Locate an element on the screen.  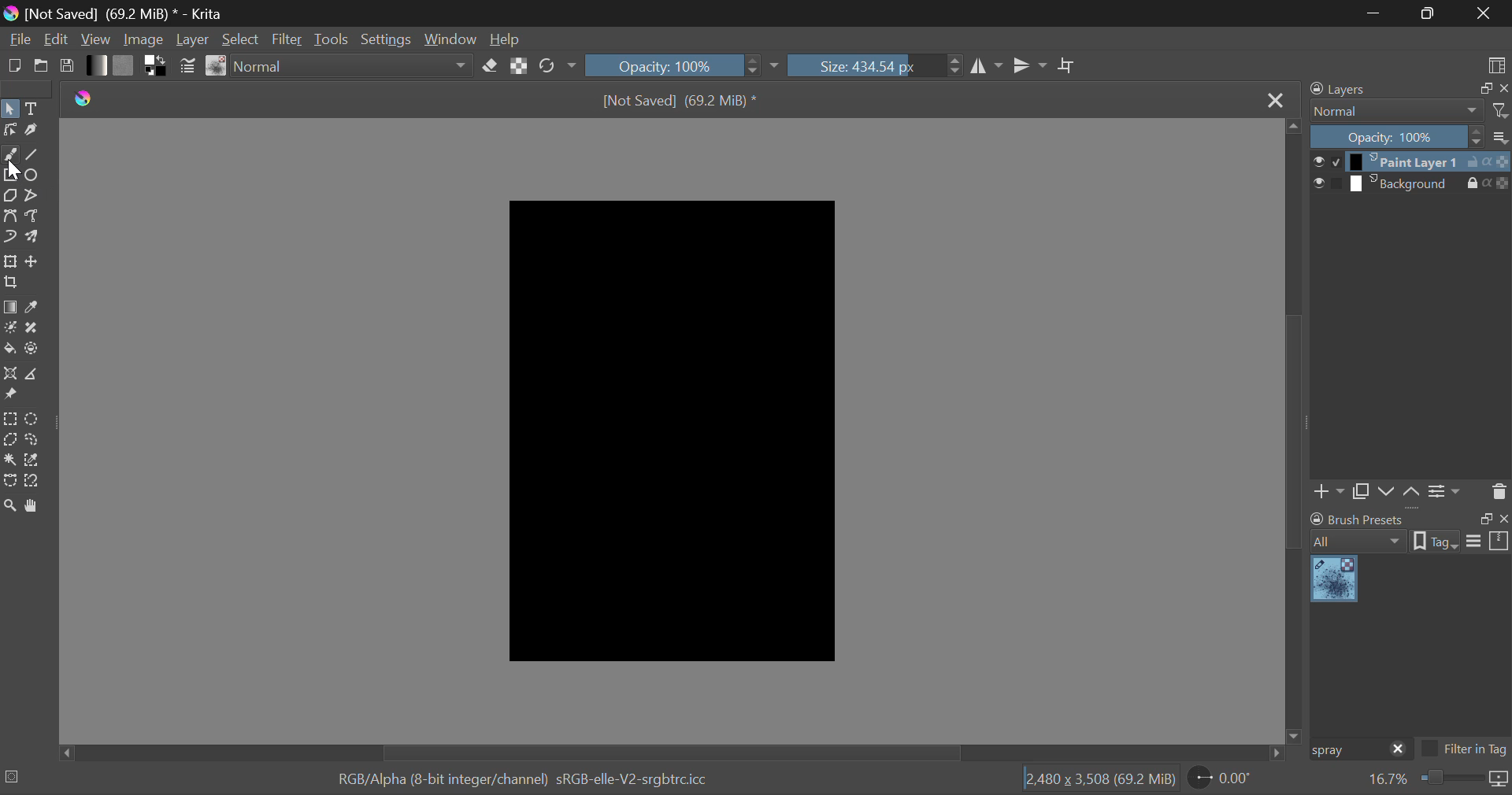
Close is located at coordinates (1275, 102).